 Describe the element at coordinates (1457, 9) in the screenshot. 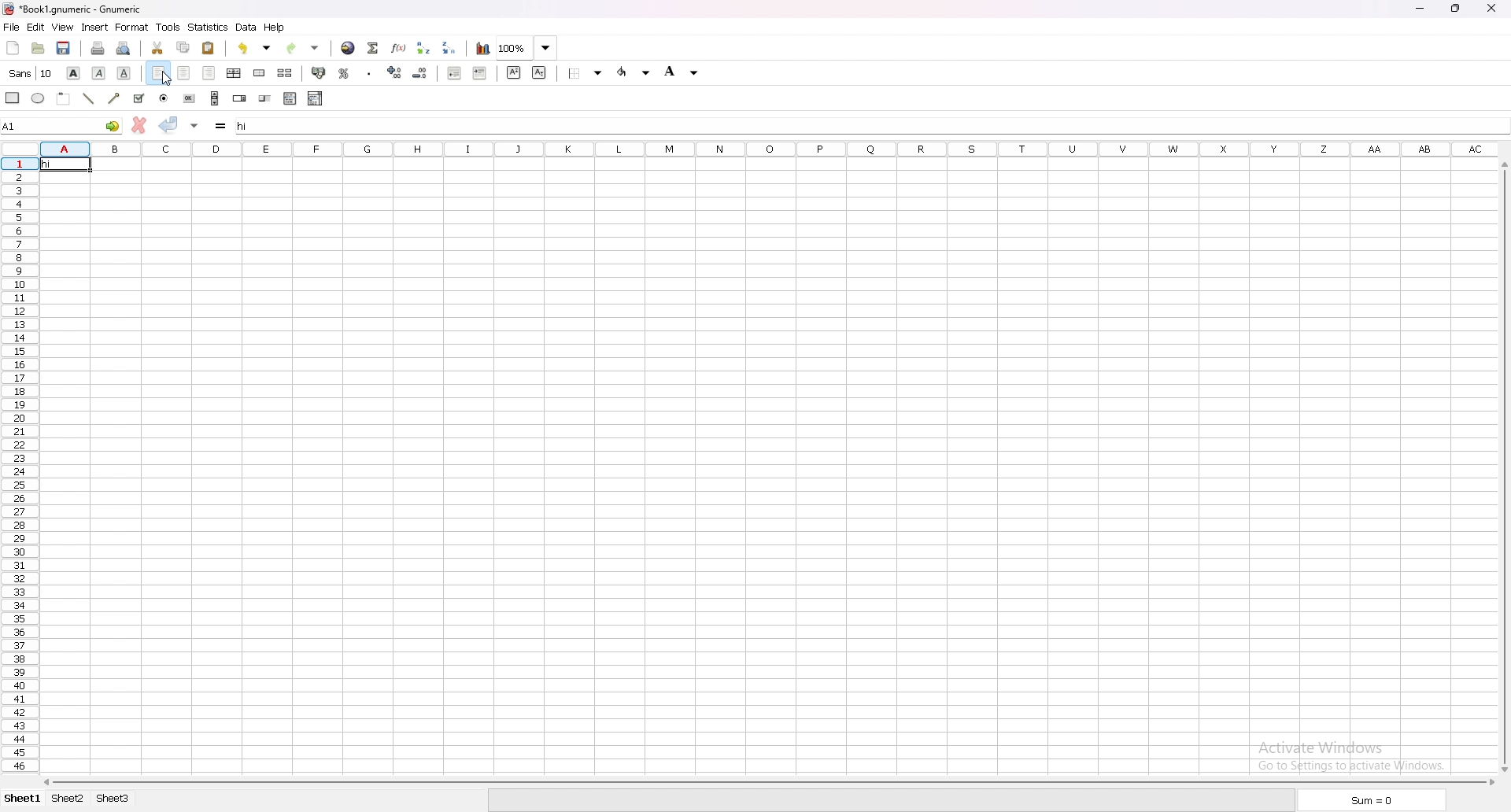

I see `resize` at that location.